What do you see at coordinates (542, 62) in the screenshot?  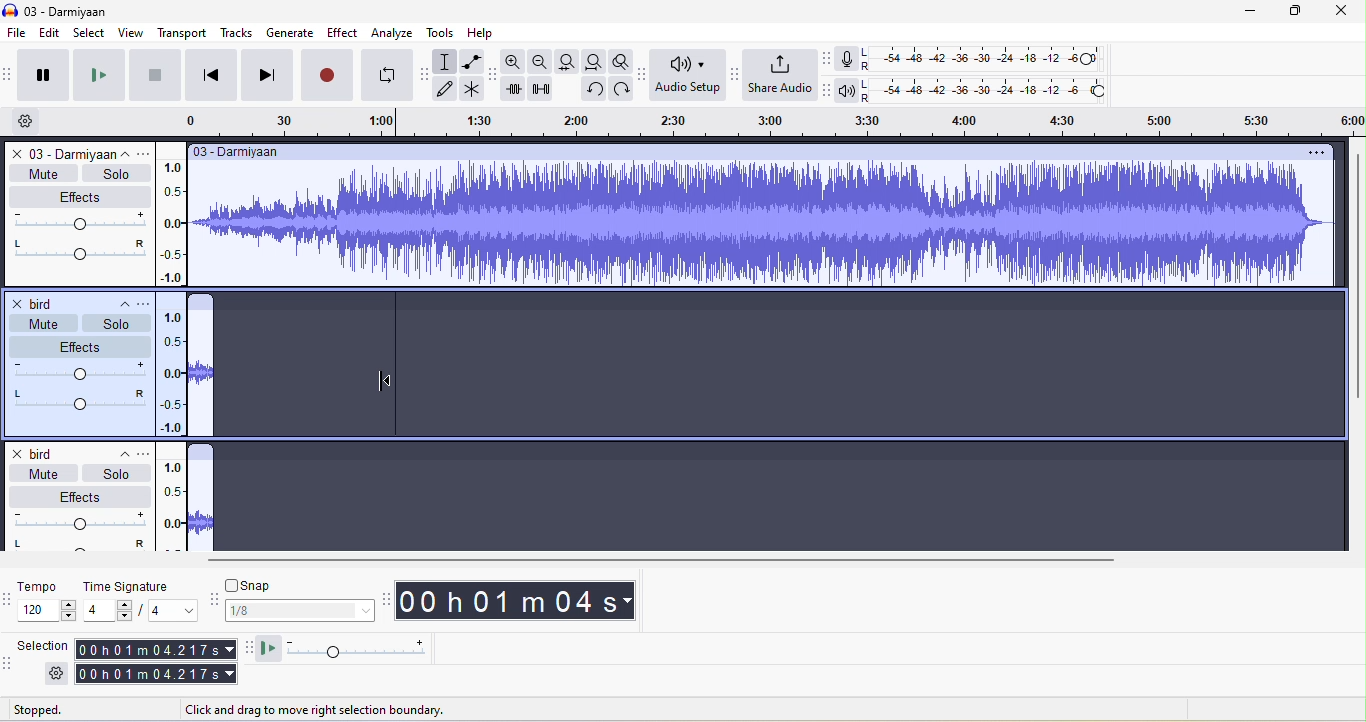 I see `zoom out` at bounding box center [542, 62].